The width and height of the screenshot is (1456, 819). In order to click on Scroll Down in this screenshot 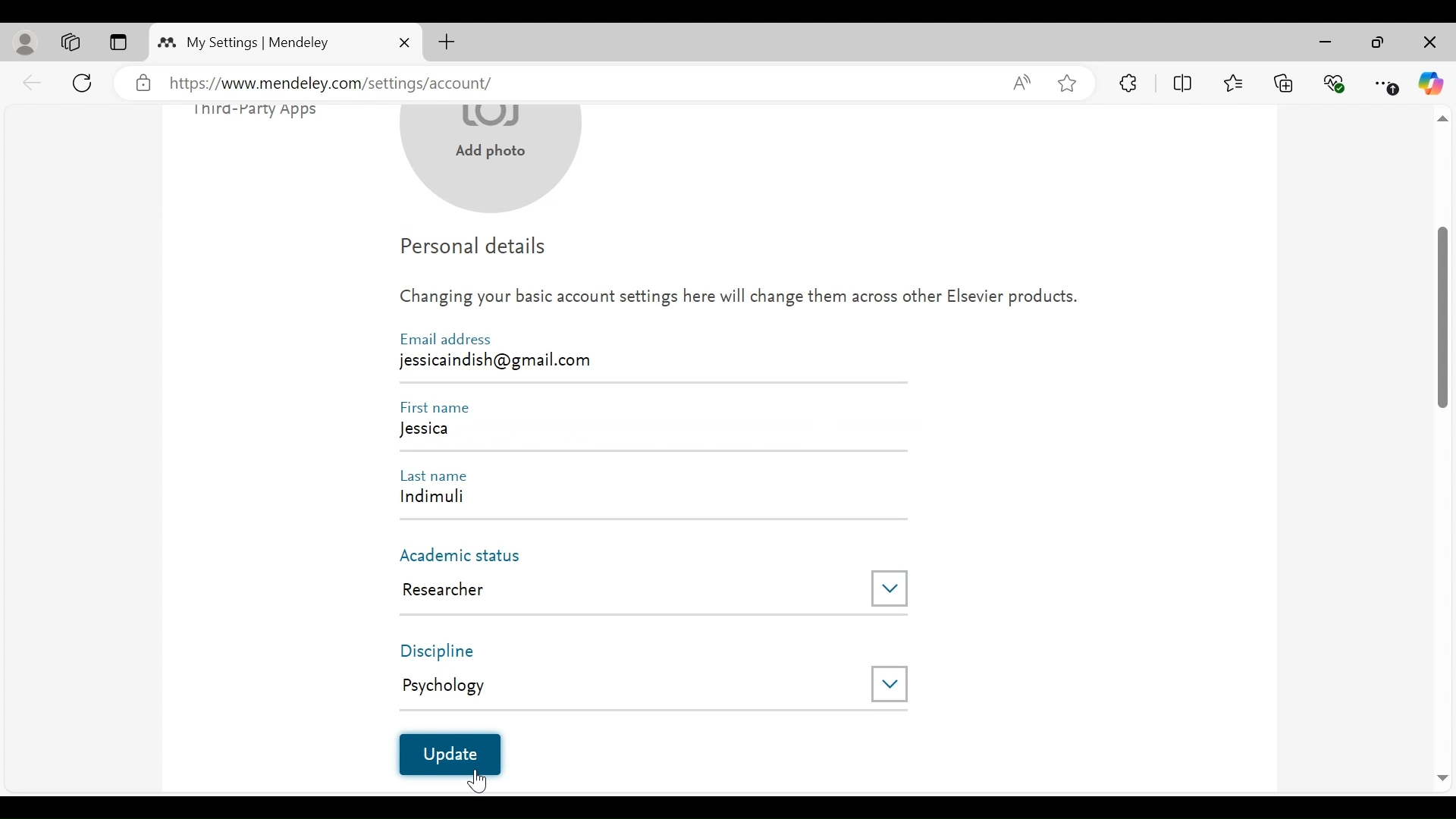, I will do `click(1442, 779)`.